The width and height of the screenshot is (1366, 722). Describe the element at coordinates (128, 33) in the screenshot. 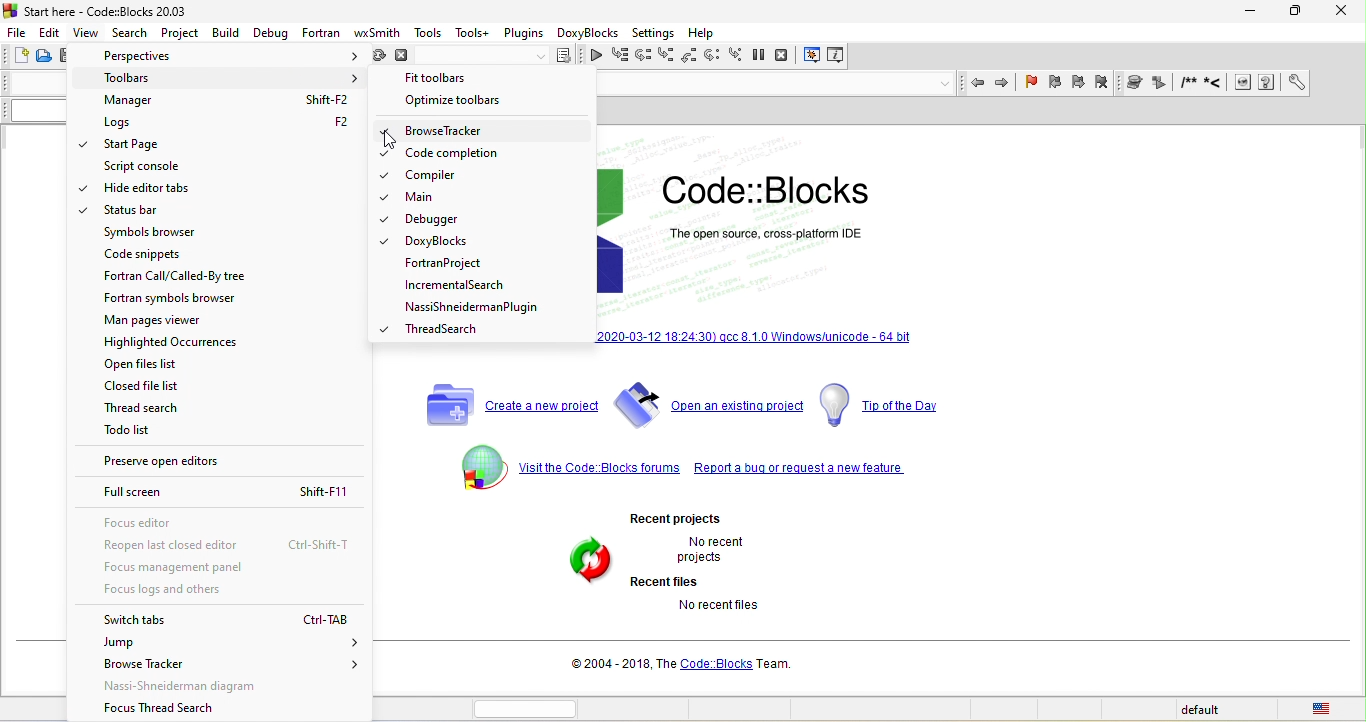

I see `search` at that location.